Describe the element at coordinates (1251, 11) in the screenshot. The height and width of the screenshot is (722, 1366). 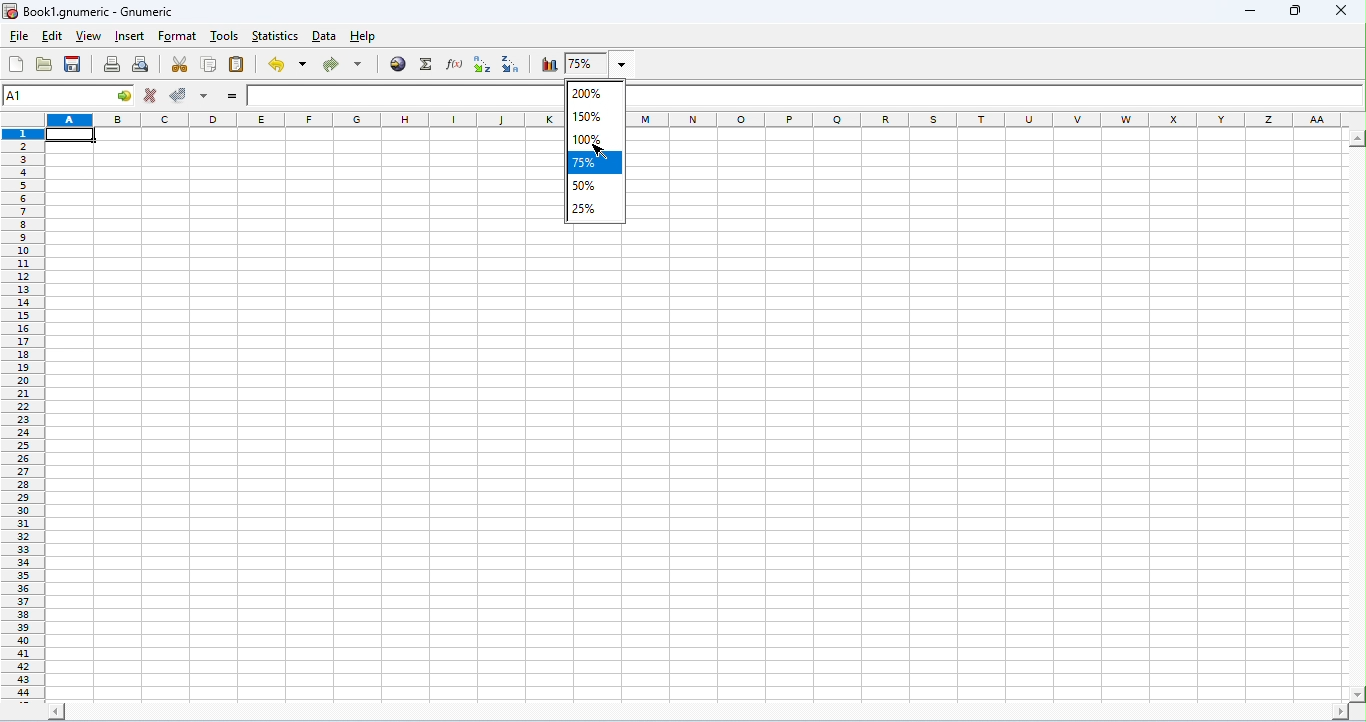
I see `minimize` at that location.